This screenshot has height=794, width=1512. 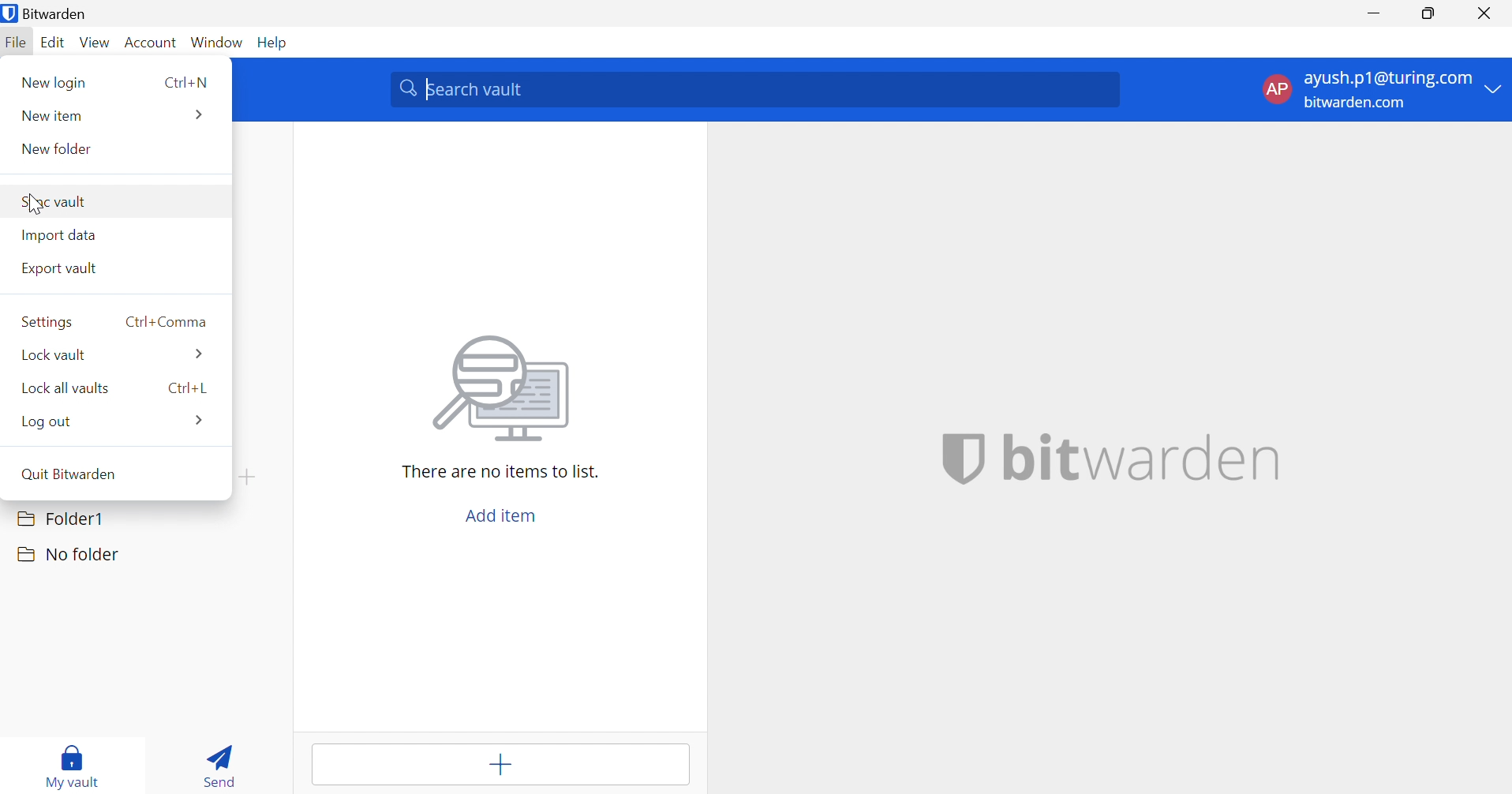 What do you see at coordinates (1425, 12) in the screenshot?
I see `Restore Down` at bounding box center [1425, 12].